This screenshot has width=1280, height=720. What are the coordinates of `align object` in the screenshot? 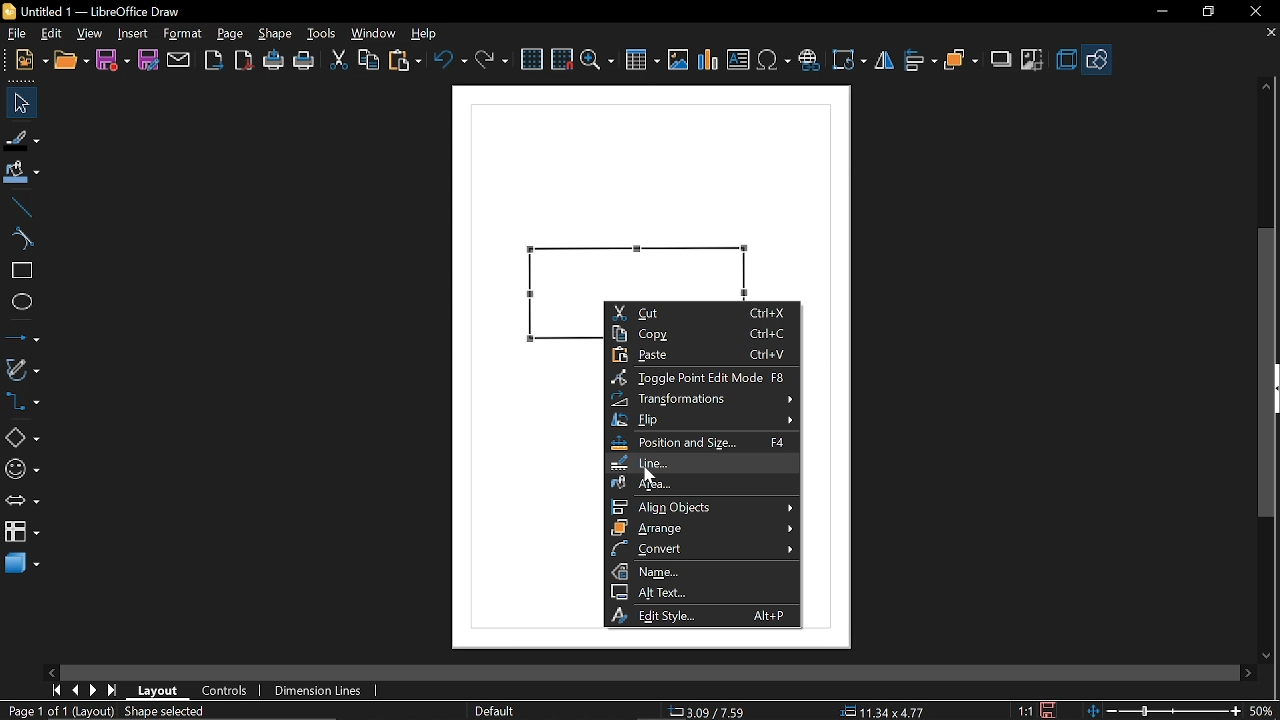 It's located at (698, 508).